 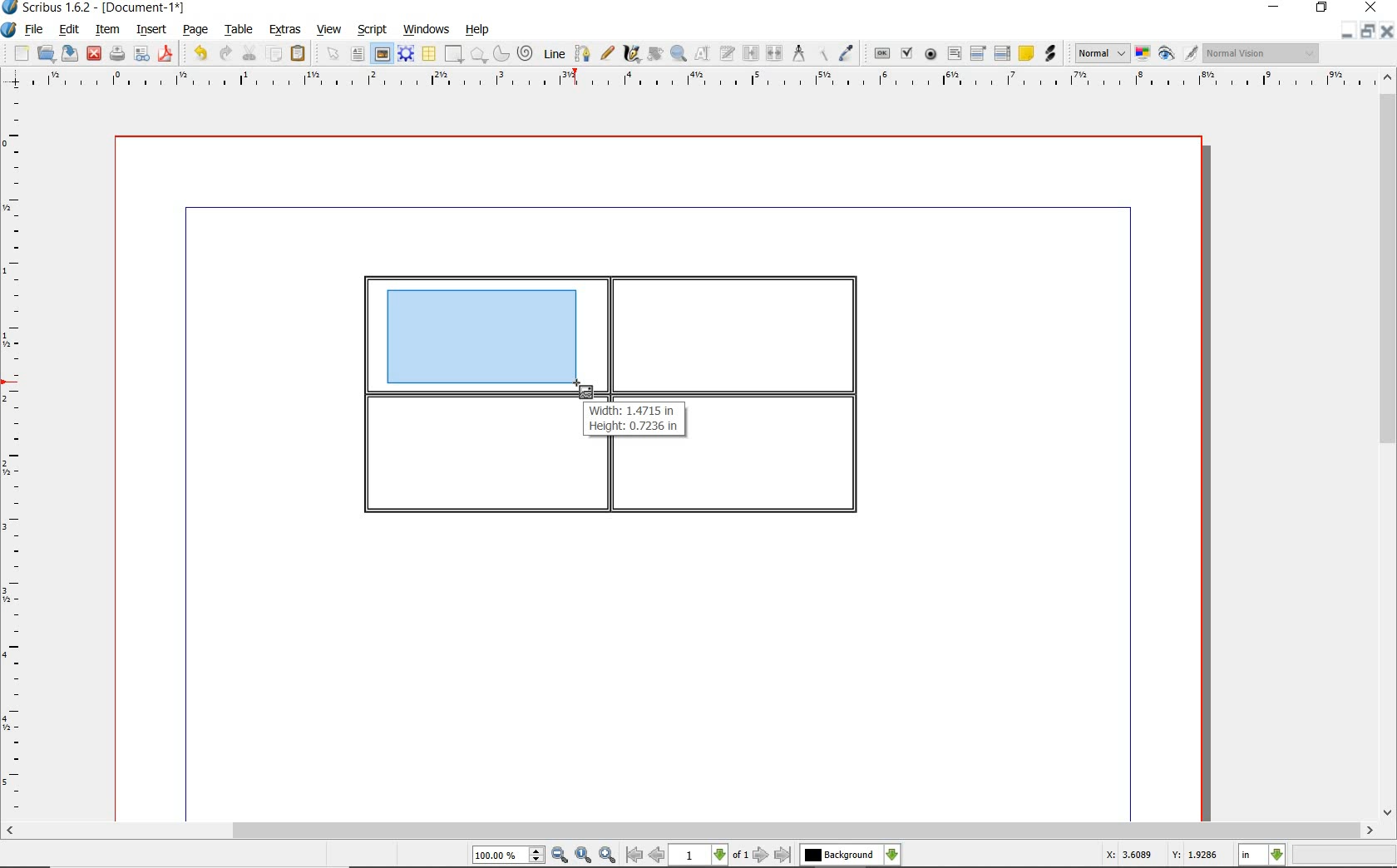 What do you see at coordinates (850, 855) in the screenshot?
I see `select the current layer` at bounding box center [850, 855].